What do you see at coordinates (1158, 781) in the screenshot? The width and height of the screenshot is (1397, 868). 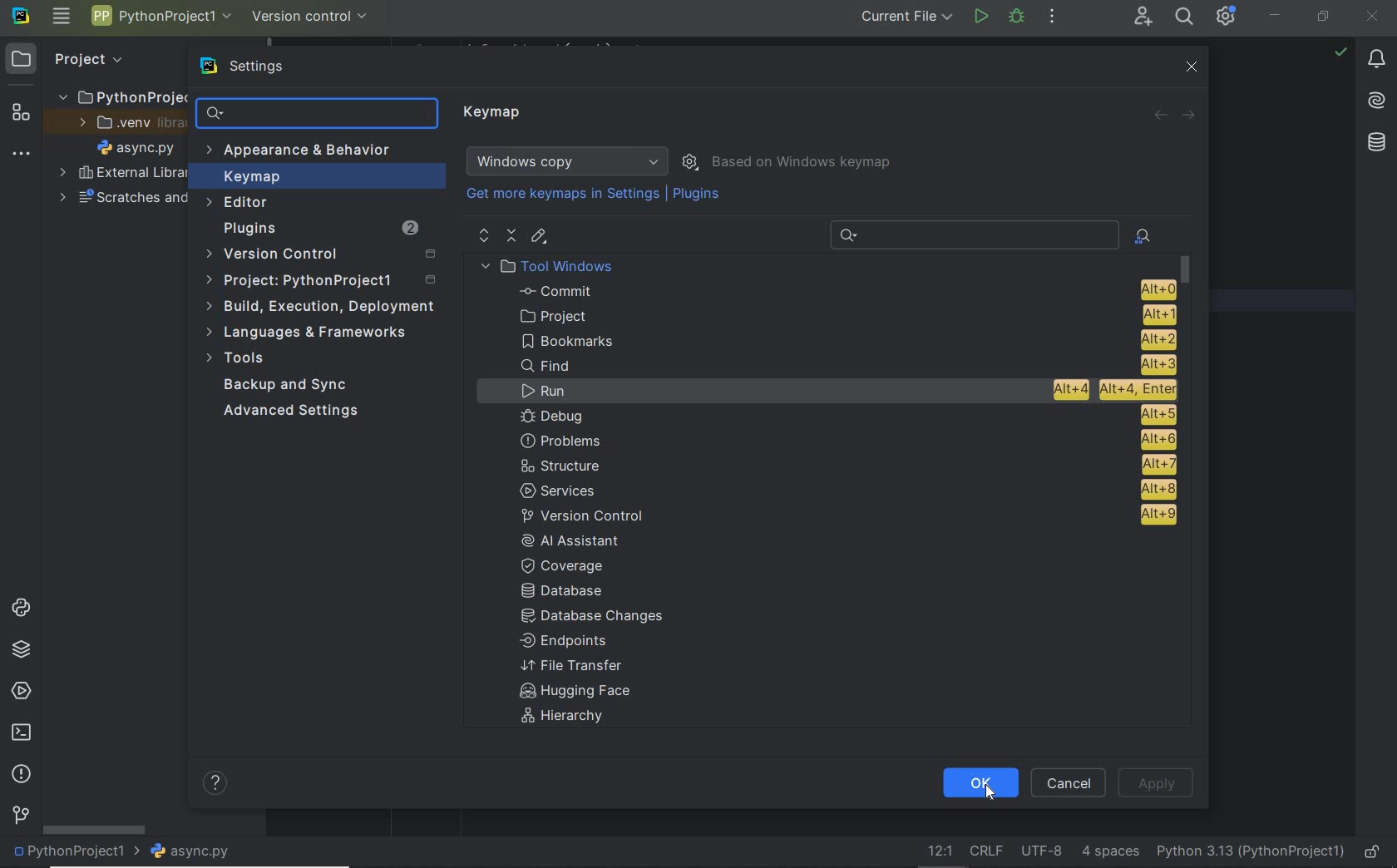 I see `Apply` at bounding box center [1158, 781].